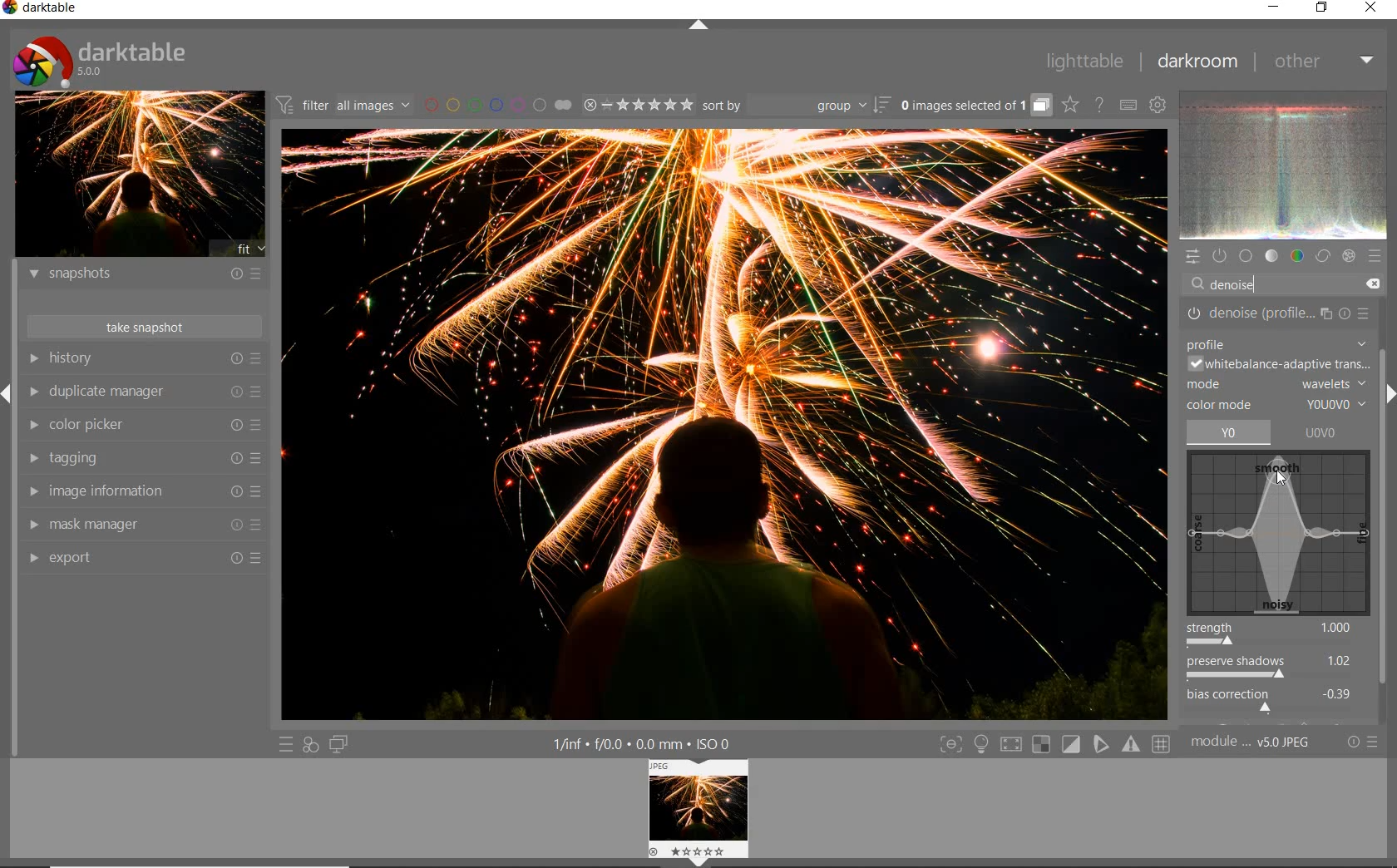 The width and height of the screenshot is (1397, 868). What do you see at coordinates (8, 394) in the screenshot?
I see `Expand/Collapse` at bounding box center [8, 394].